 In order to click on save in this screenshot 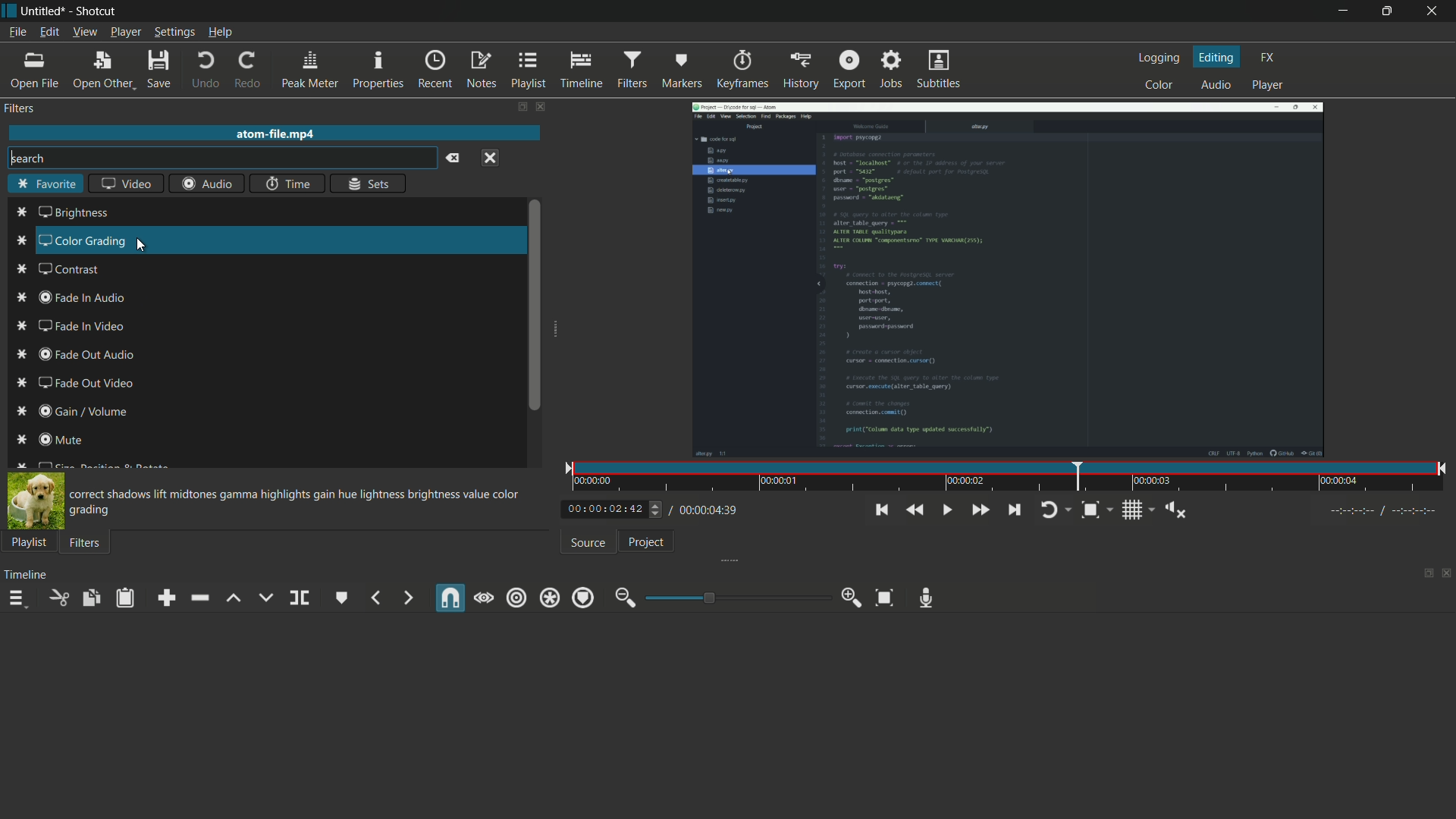, I will do `click(158, 72)`.